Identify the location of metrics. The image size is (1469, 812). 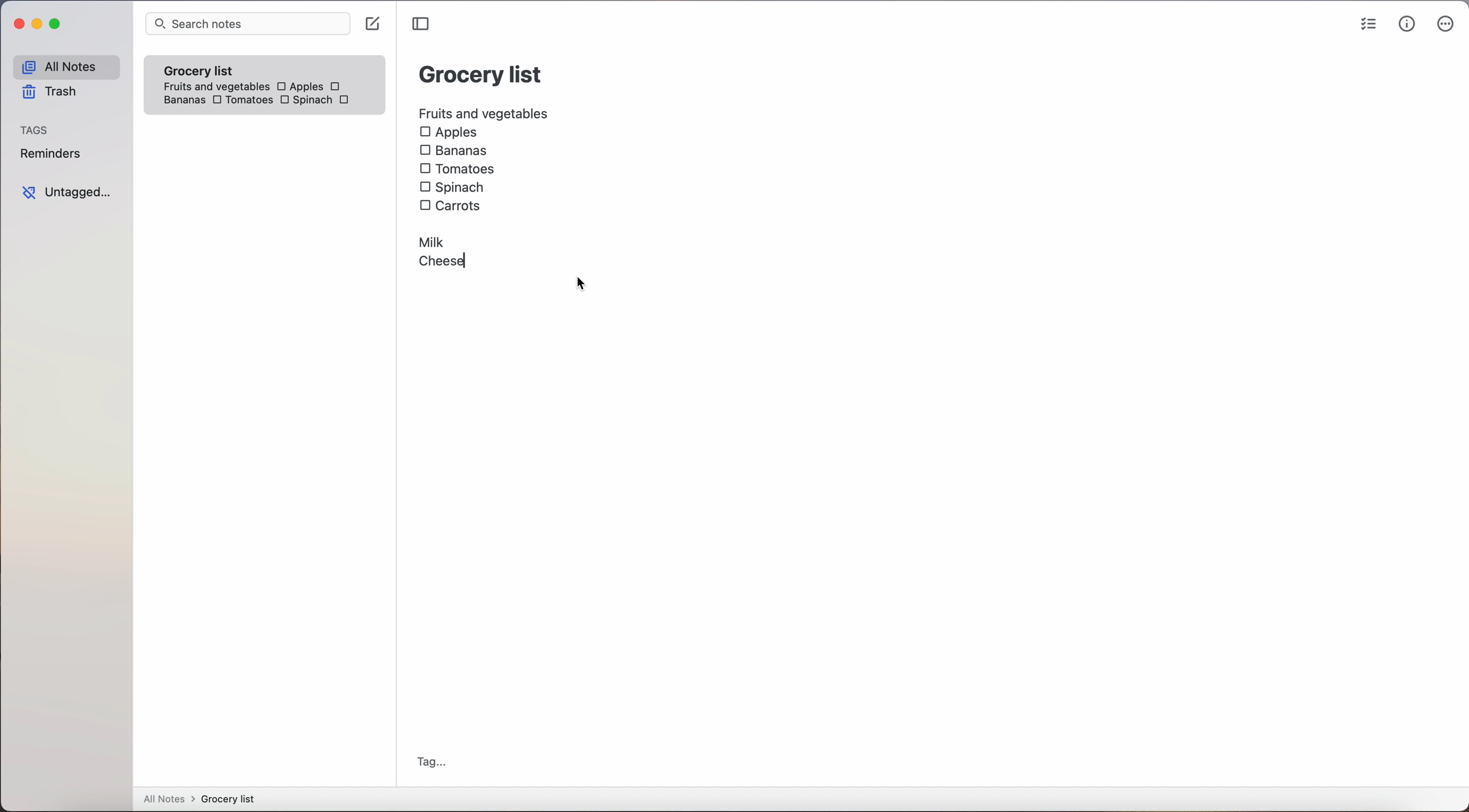
(1406, 25).